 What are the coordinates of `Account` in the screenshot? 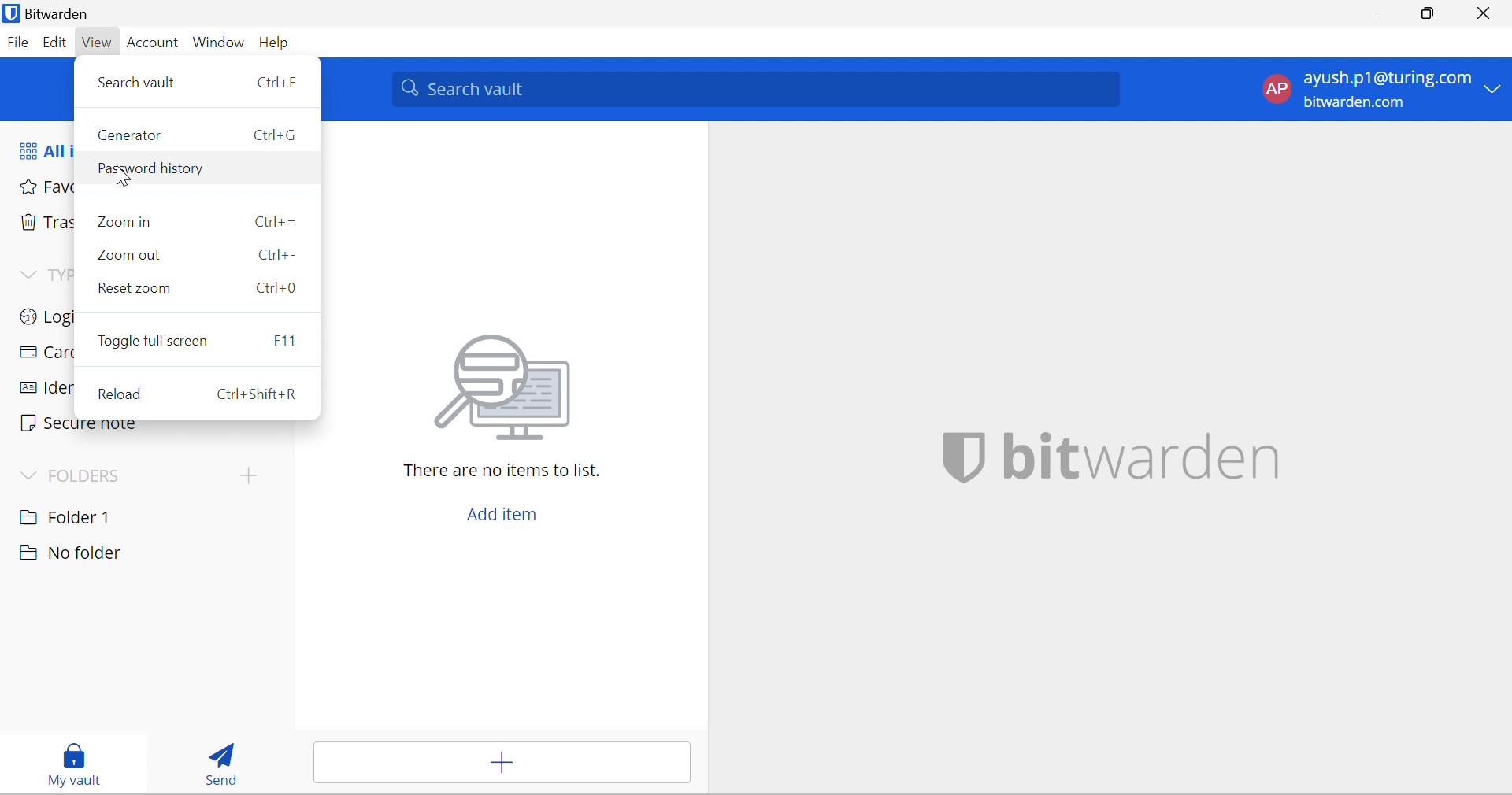 It's located at (152, 44).